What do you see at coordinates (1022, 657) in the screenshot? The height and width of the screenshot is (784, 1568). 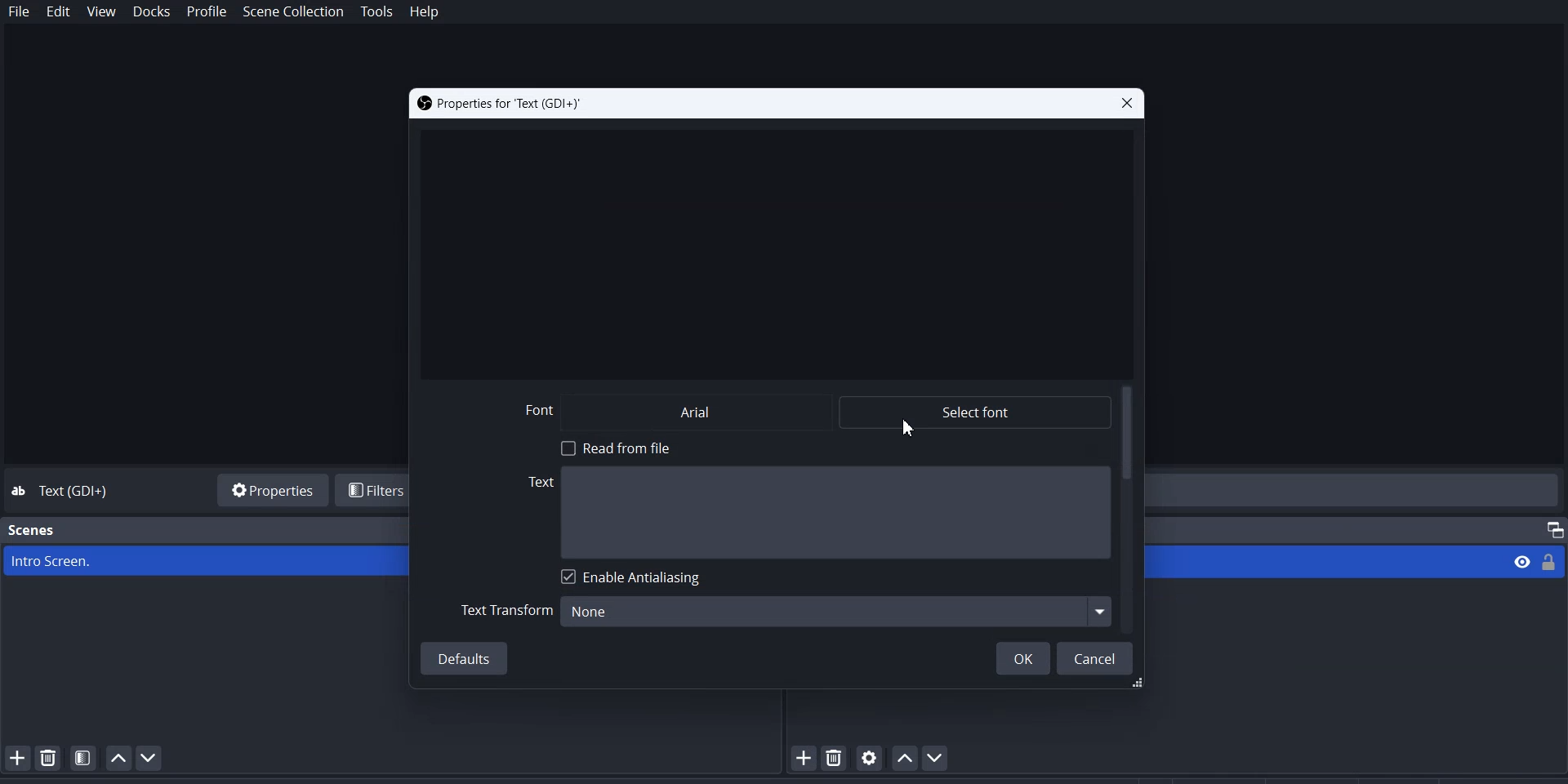 I see `OK` at bounding box center [1022, 657].